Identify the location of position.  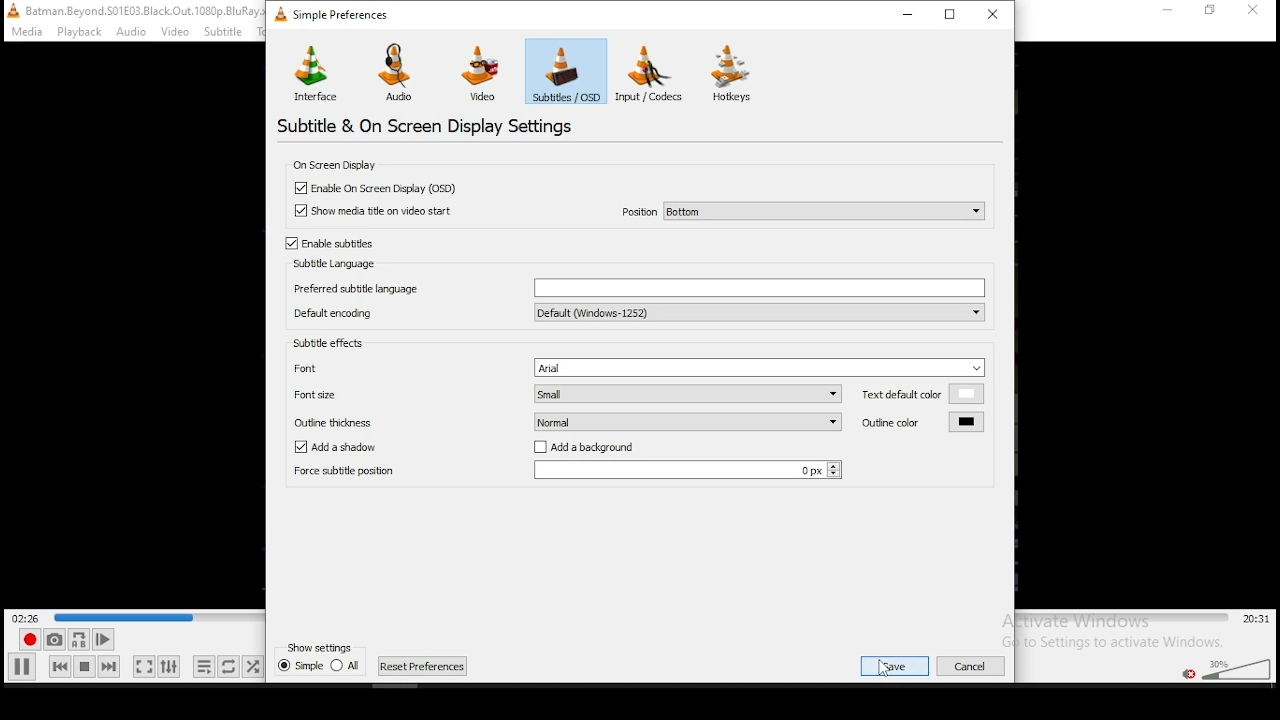
(802, 210).